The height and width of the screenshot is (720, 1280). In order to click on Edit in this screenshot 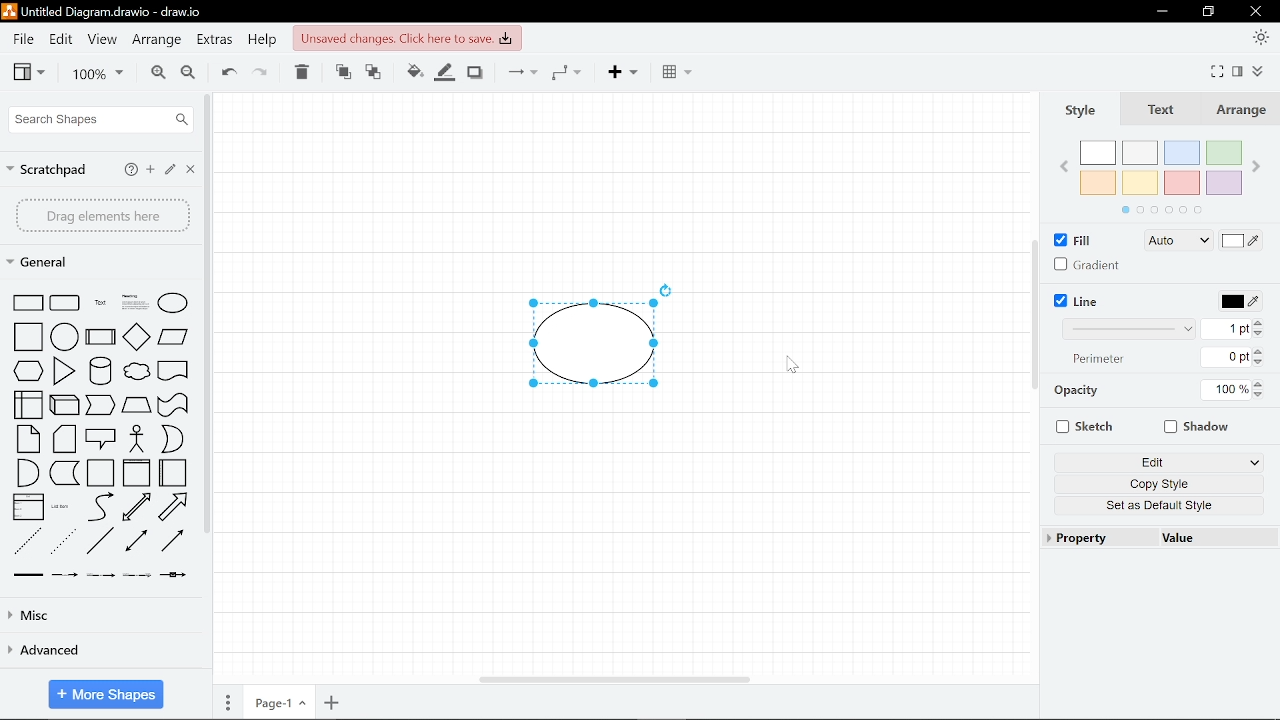, I will do `click(62, 39)`.